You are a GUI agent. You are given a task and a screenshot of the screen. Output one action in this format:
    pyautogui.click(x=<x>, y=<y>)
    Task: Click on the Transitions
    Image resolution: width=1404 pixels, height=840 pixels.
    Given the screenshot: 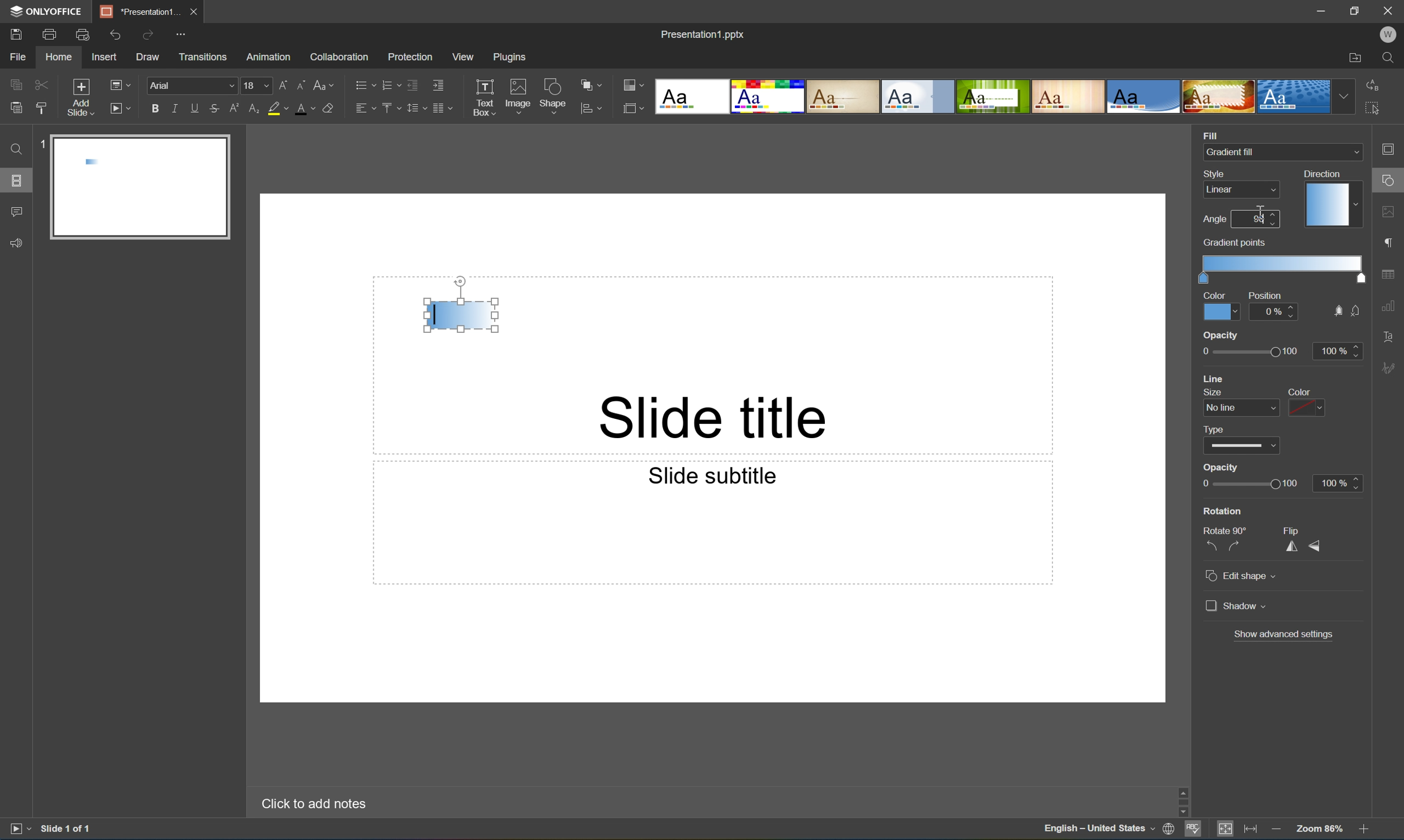 What is the action you would take?
    pyautogui.click(x=202, y=56)
    